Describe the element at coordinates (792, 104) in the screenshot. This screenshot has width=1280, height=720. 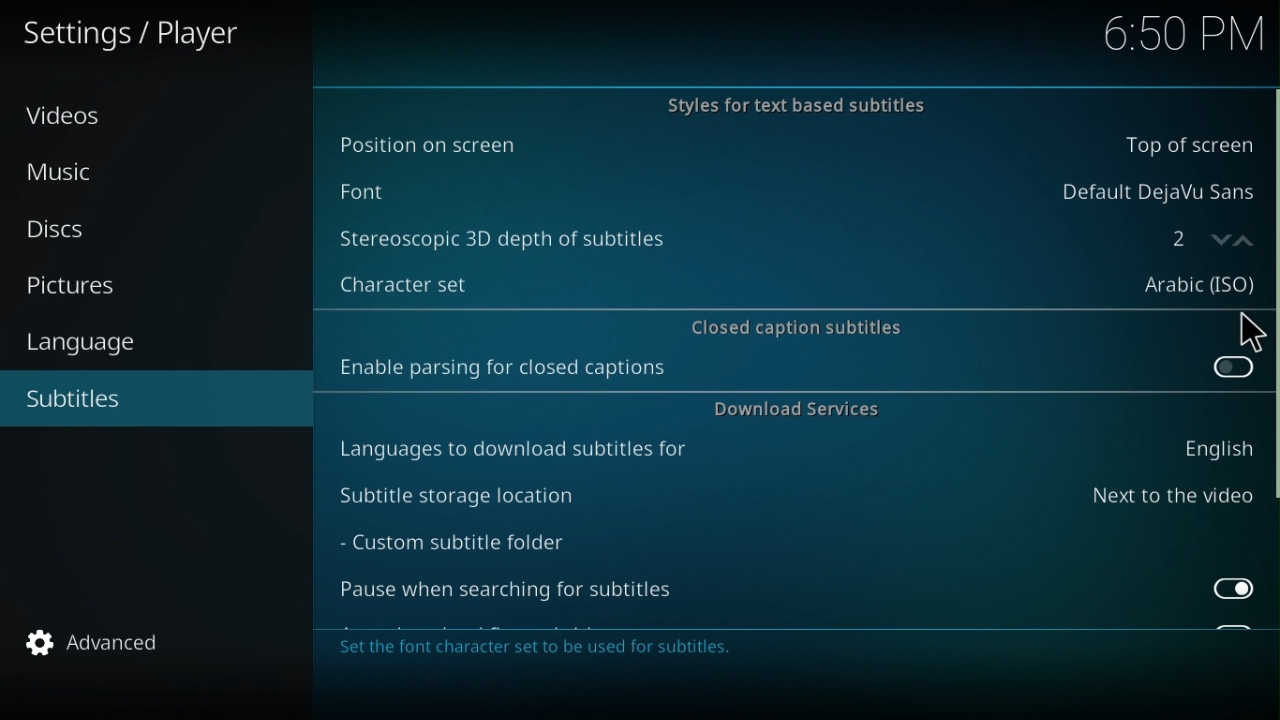
I see `Styles for text based` at that location.